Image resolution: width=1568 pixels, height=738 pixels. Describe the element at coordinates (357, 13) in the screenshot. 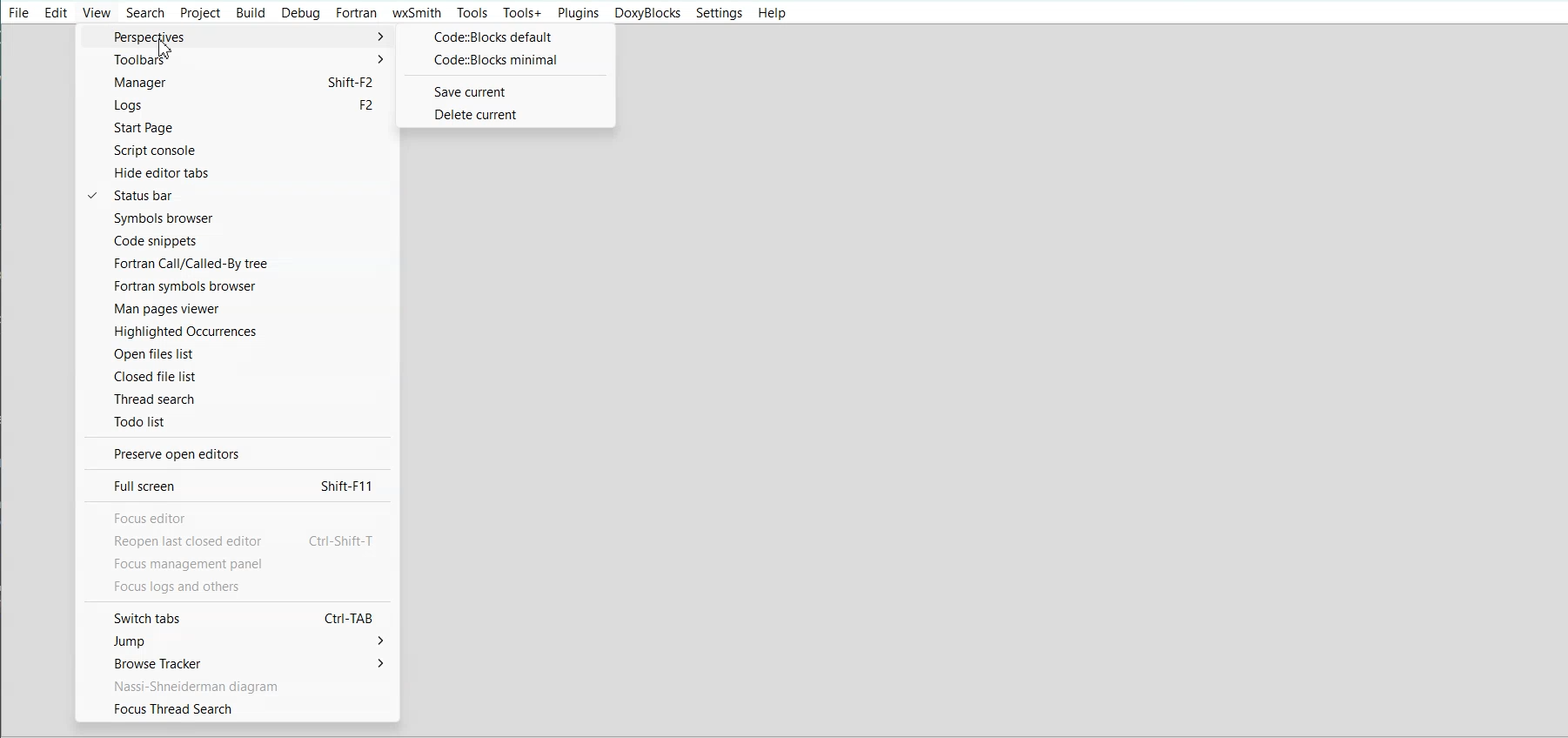

I see `Fortran` at that location.